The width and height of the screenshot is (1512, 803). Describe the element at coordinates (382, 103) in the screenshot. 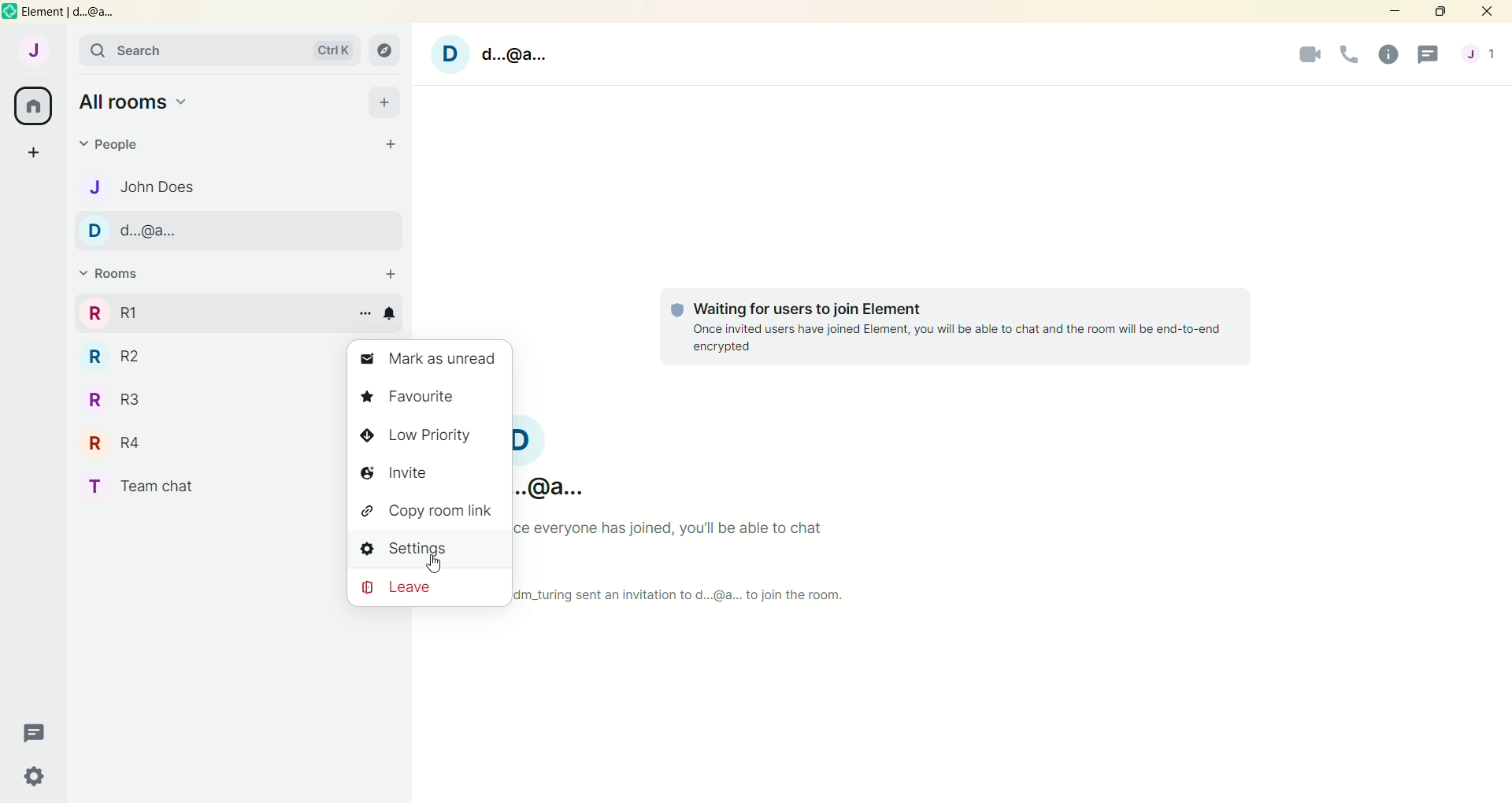

I see `add` at that location.